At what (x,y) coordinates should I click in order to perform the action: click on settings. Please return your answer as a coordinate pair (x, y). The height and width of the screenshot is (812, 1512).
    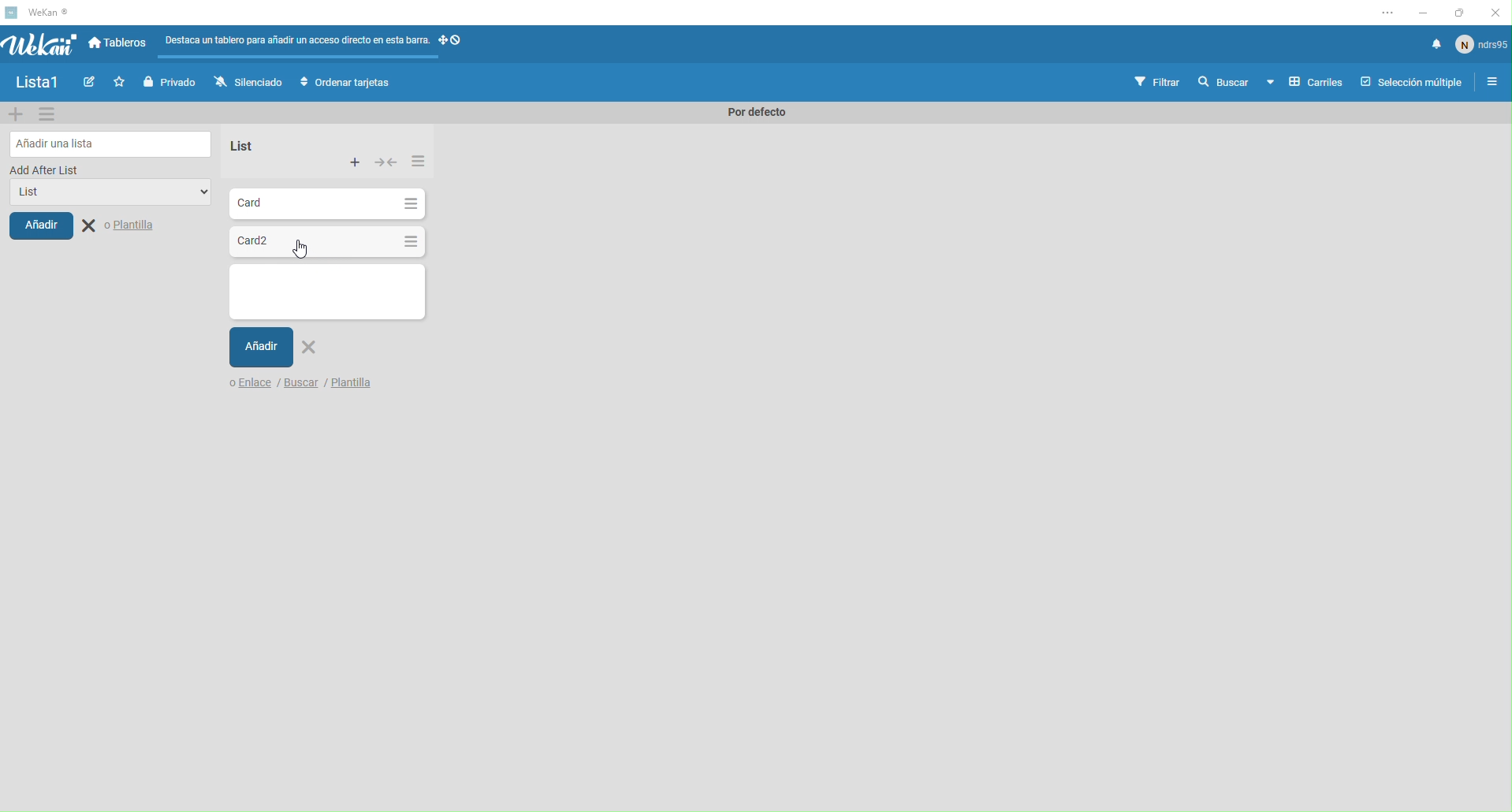
    Looking at the image, I should click on (51, 115).